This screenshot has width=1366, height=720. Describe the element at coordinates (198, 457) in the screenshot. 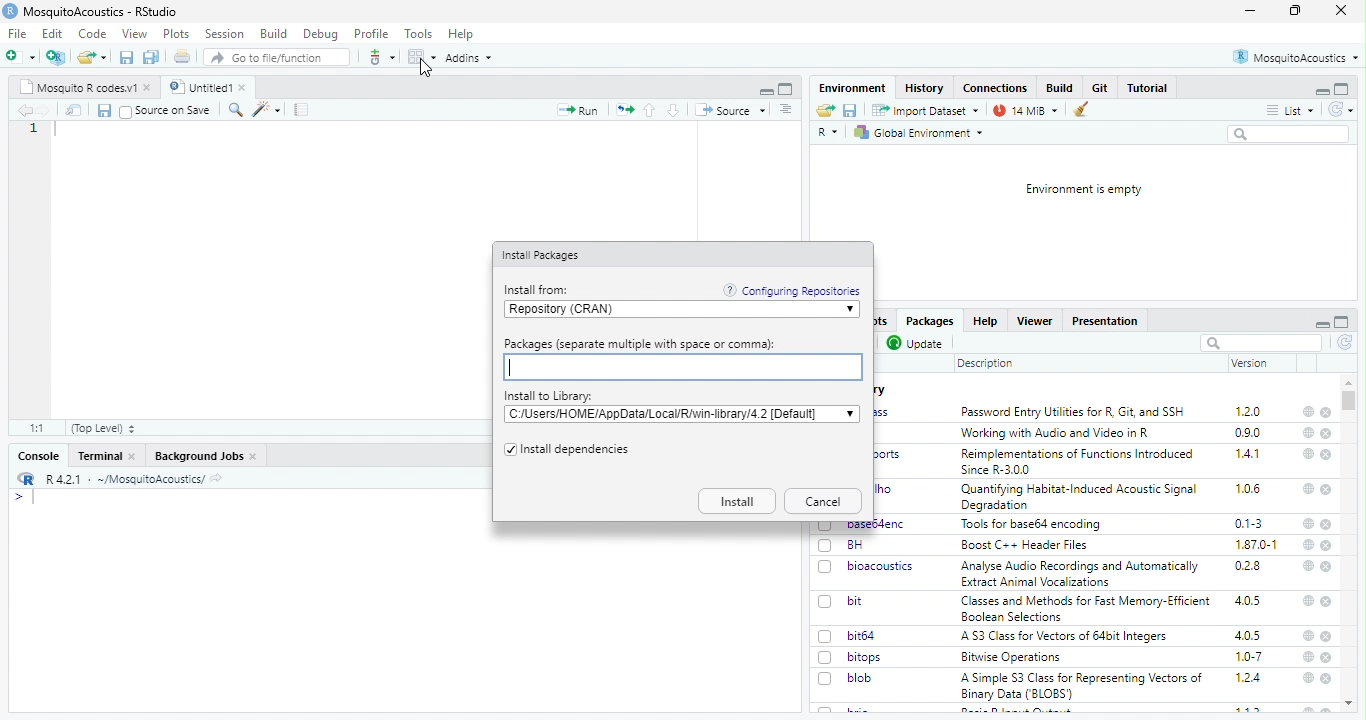

I see `Background Jobs` at that location.